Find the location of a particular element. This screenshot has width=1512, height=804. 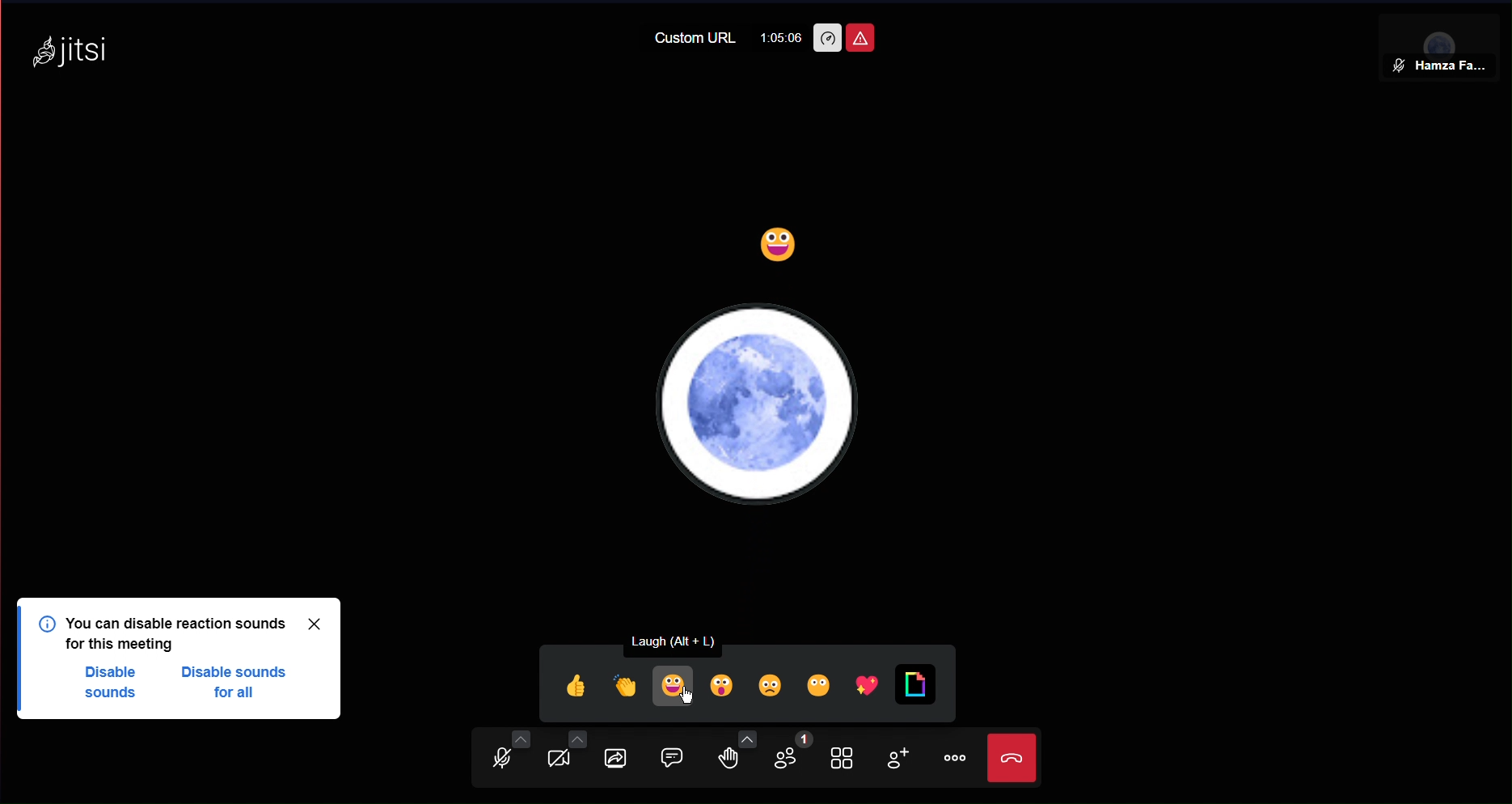

Video is located at coordinates (562, 757).